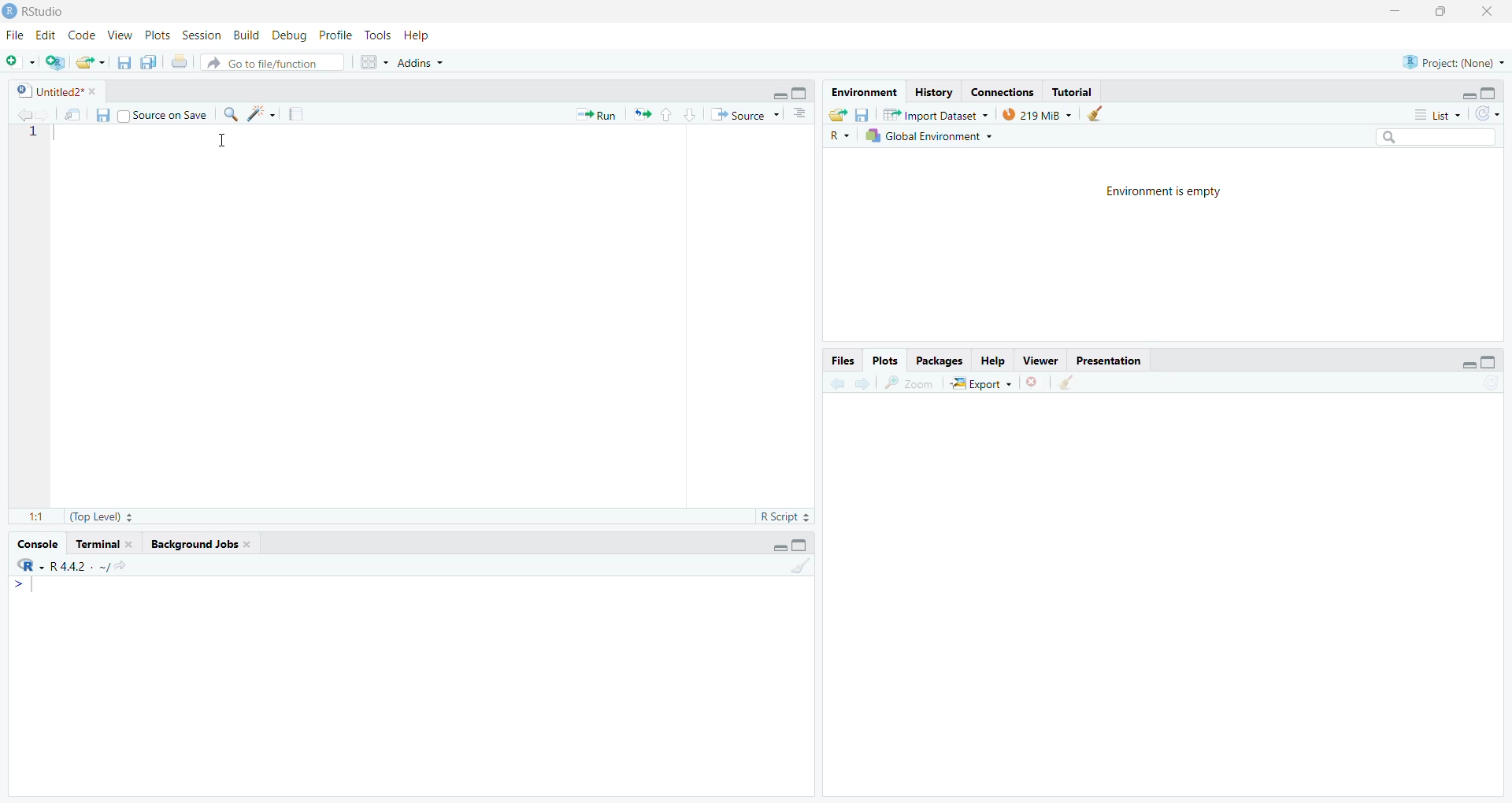  Describe the element at coordinates (1003, 91) in the screenshot. I see `Connections` at that location.